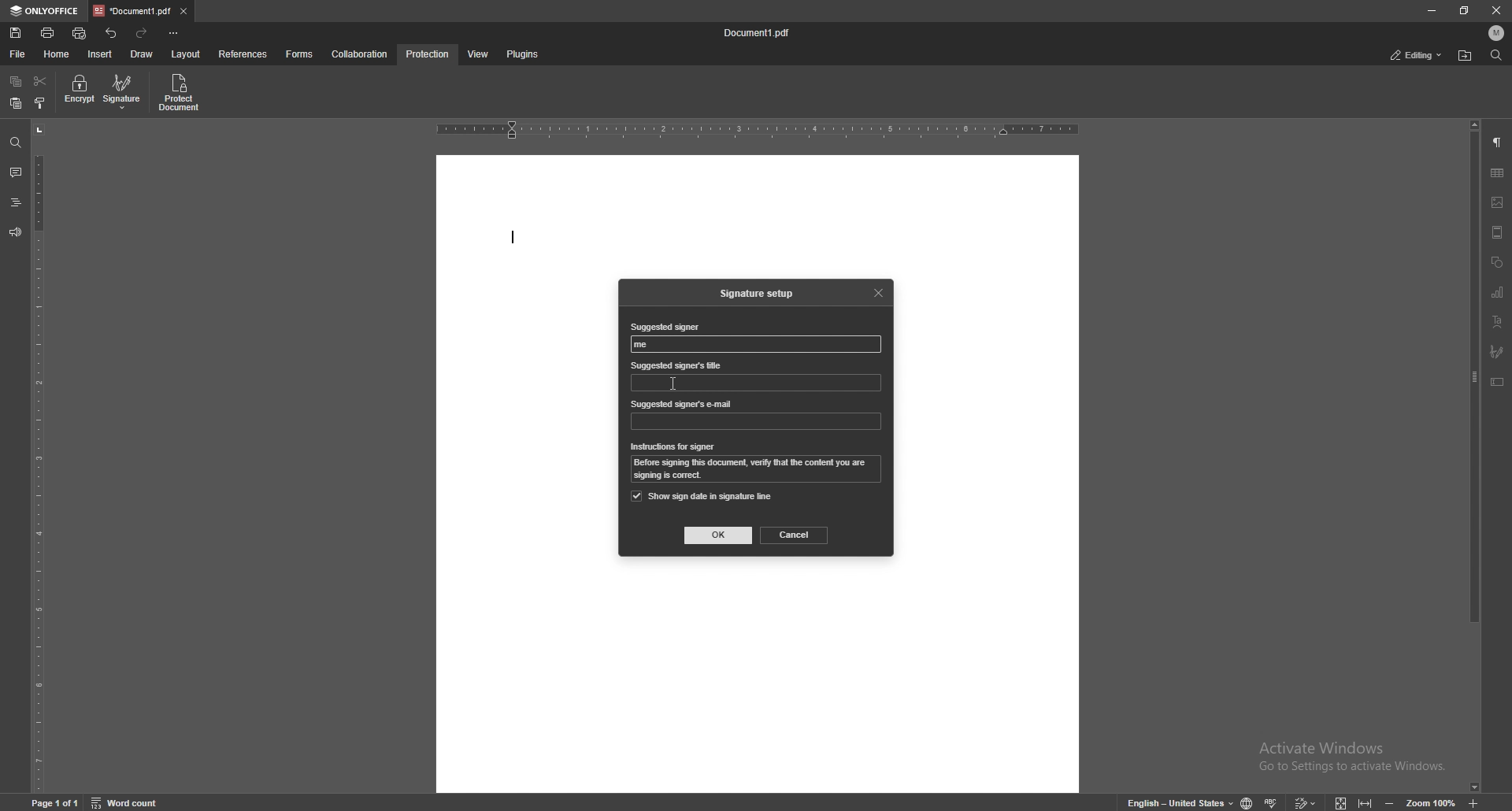  Describe the element at coordinates (517, 238) in the screenshot. I see `Typing start` at that location.